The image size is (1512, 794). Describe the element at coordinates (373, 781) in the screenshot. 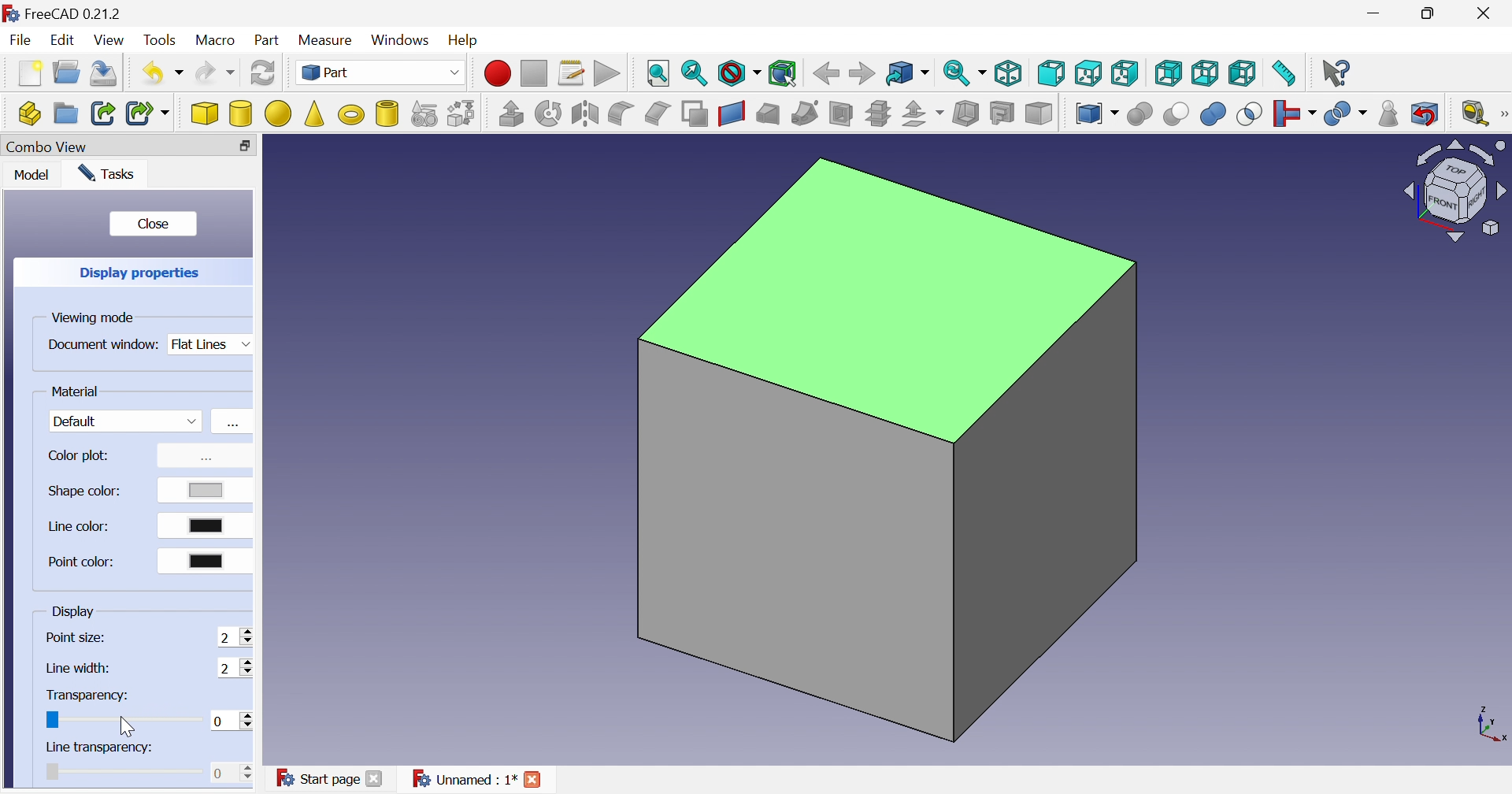

I see `Close` at that location.